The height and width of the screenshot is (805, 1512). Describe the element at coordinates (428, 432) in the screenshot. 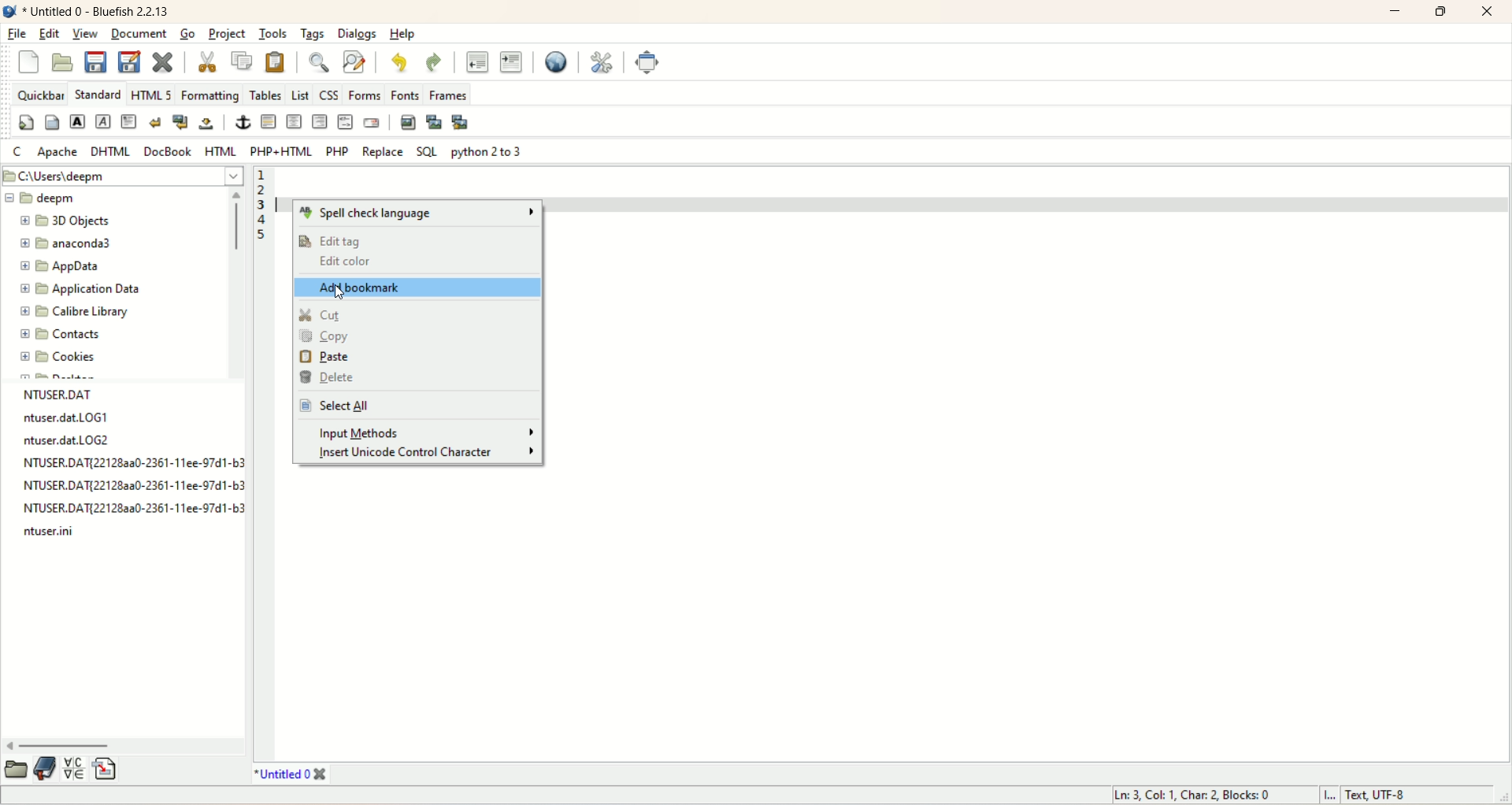

I see `input methods` at that location.